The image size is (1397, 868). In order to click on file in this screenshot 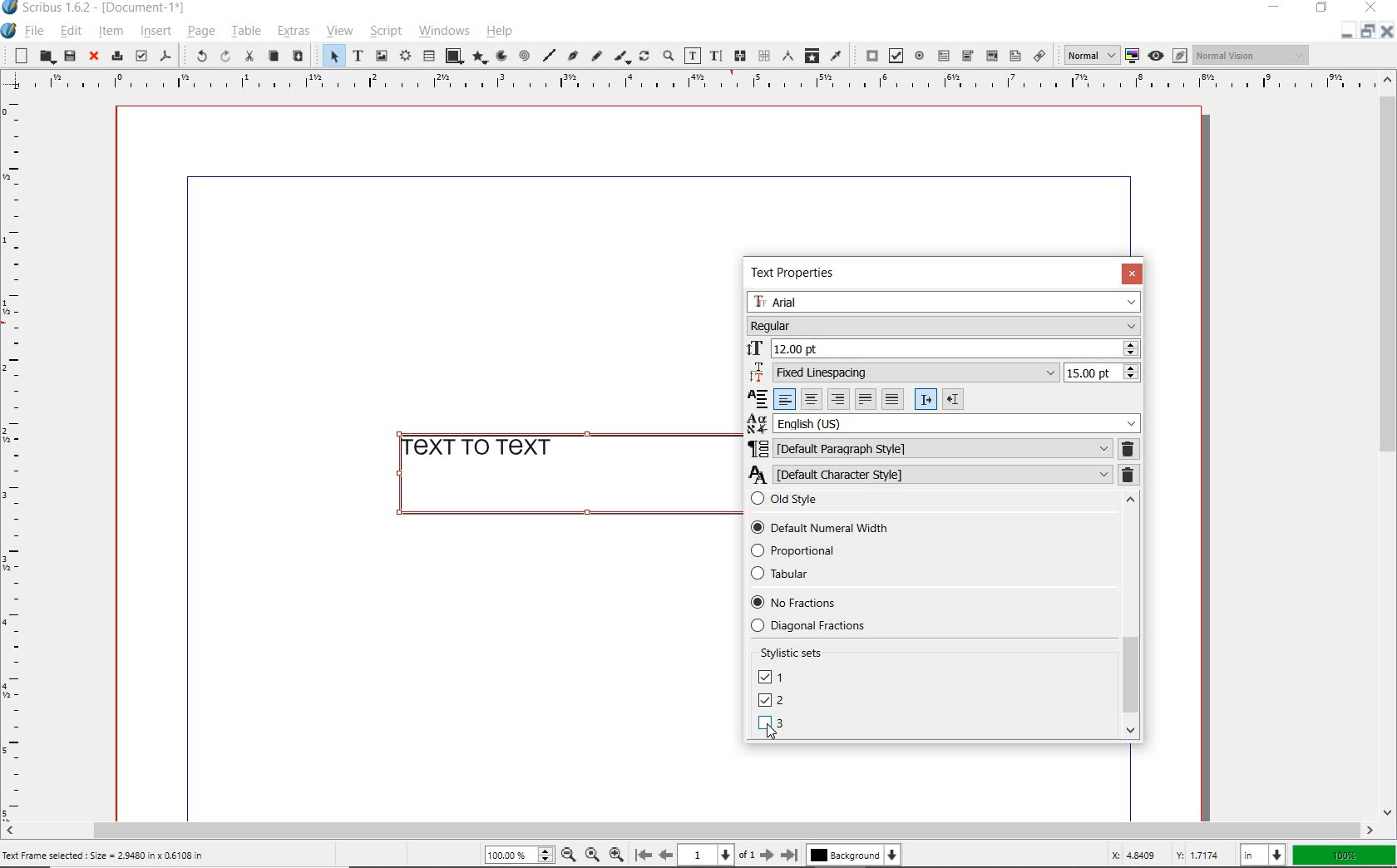, I will do `click(35, 32)`.